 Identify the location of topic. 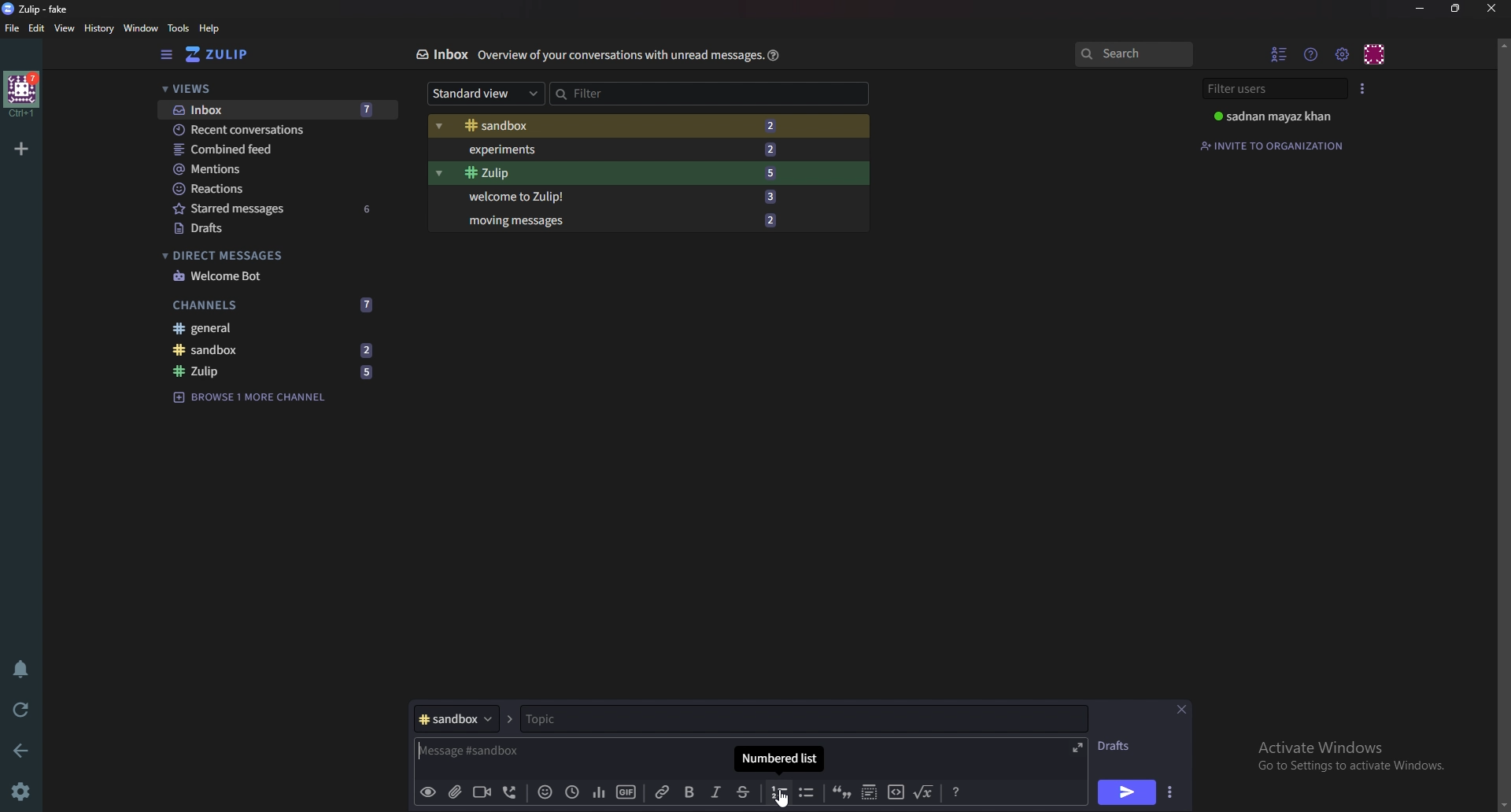
(597, 719).